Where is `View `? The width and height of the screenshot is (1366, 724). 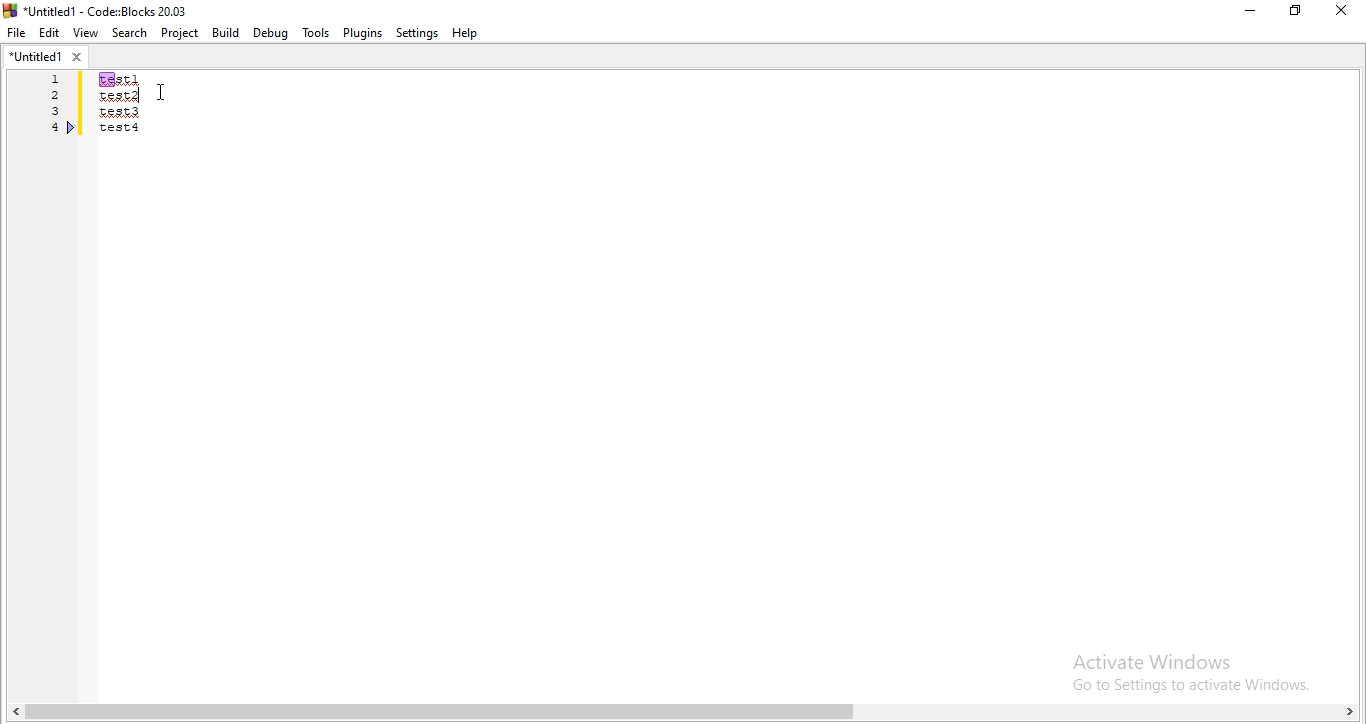 View  is located at coordinates (85, 30).